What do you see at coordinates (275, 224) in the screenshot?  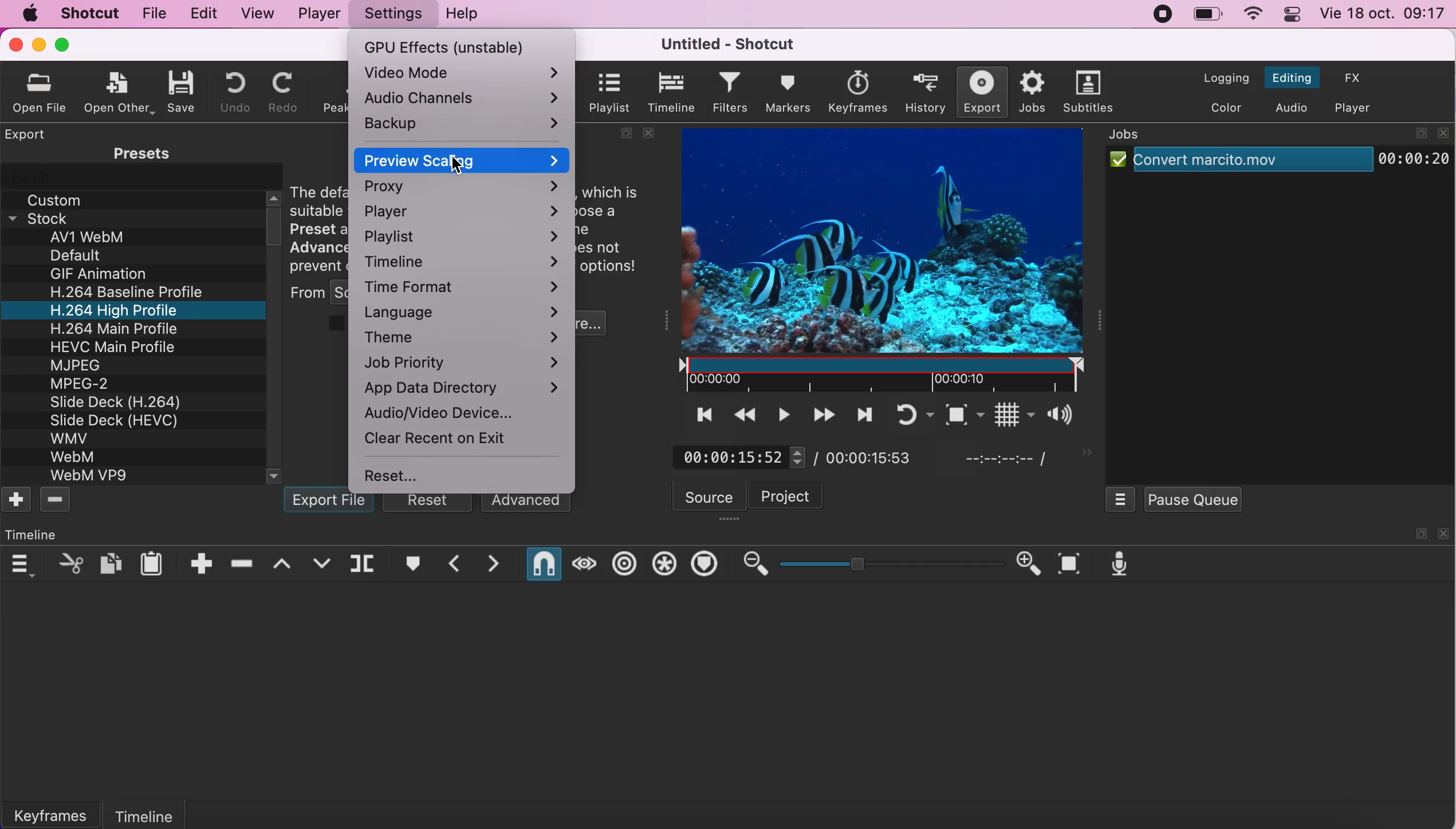 I see `vertical scroll bar` at bounding box center [275, 224].